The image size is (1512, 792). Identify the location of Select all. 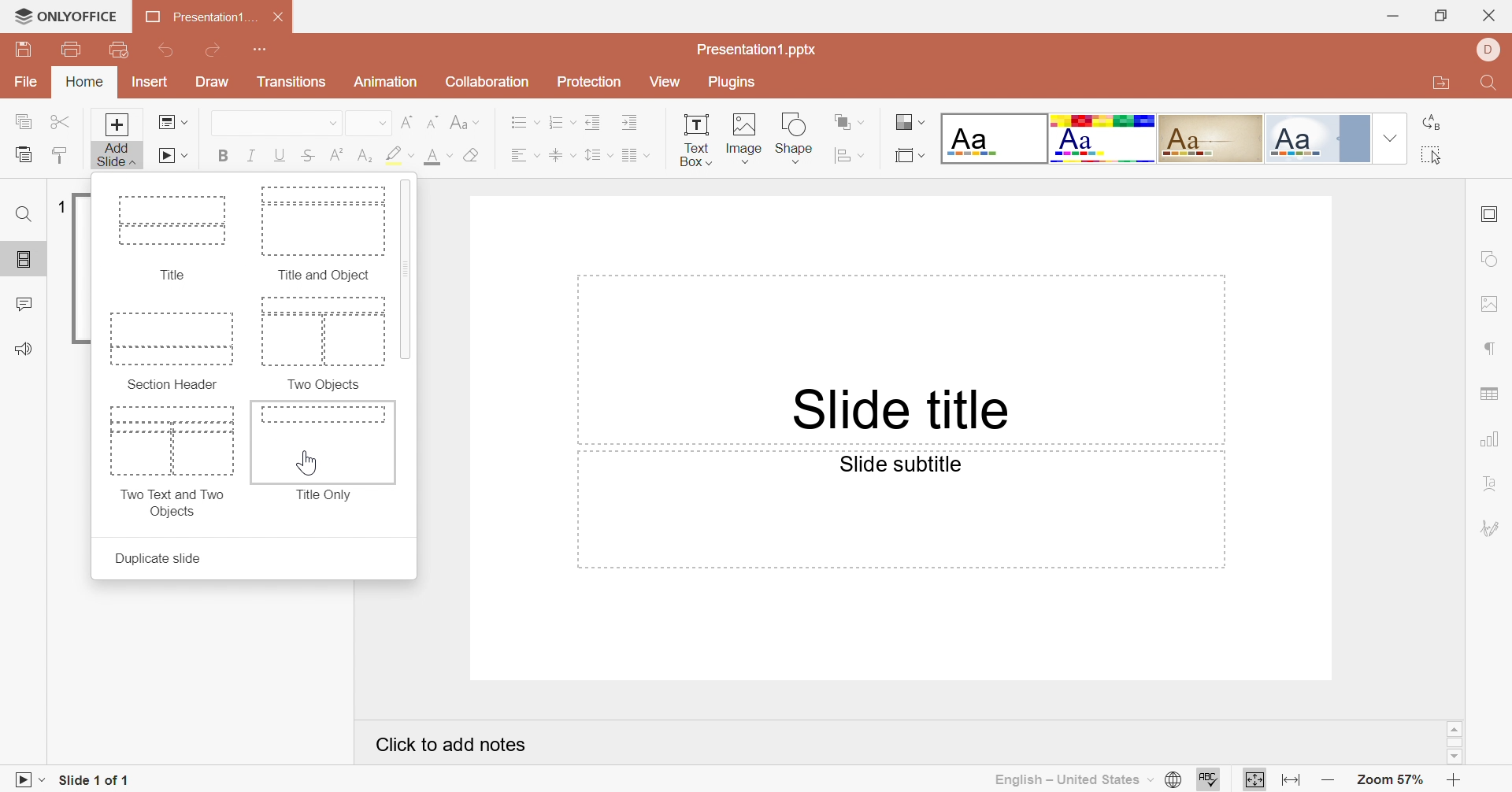
(1430, 154).